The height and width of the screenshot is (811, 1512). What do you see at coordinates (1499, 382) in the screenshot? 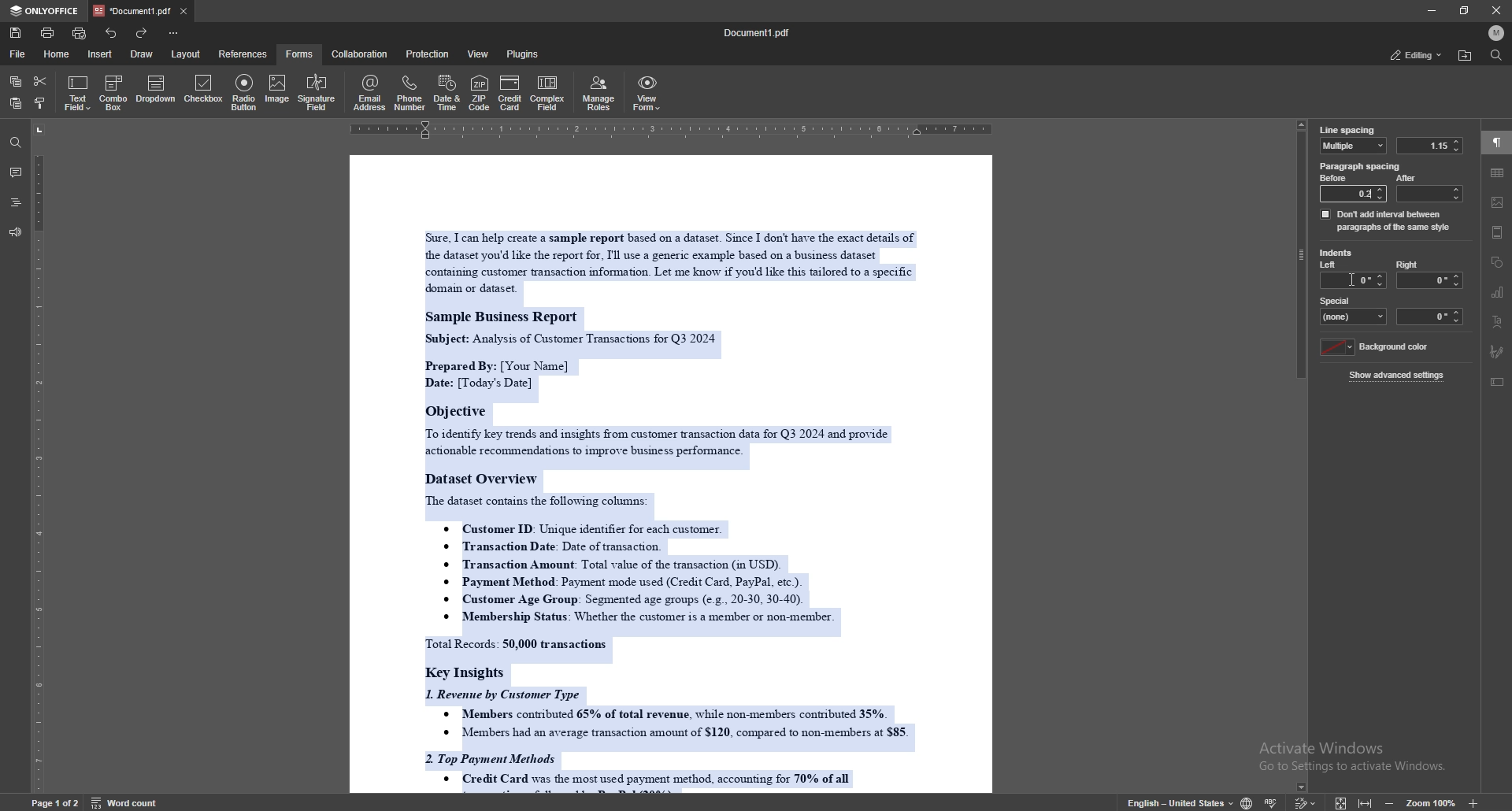
I see `text box` at bounding box center [1499, 382].